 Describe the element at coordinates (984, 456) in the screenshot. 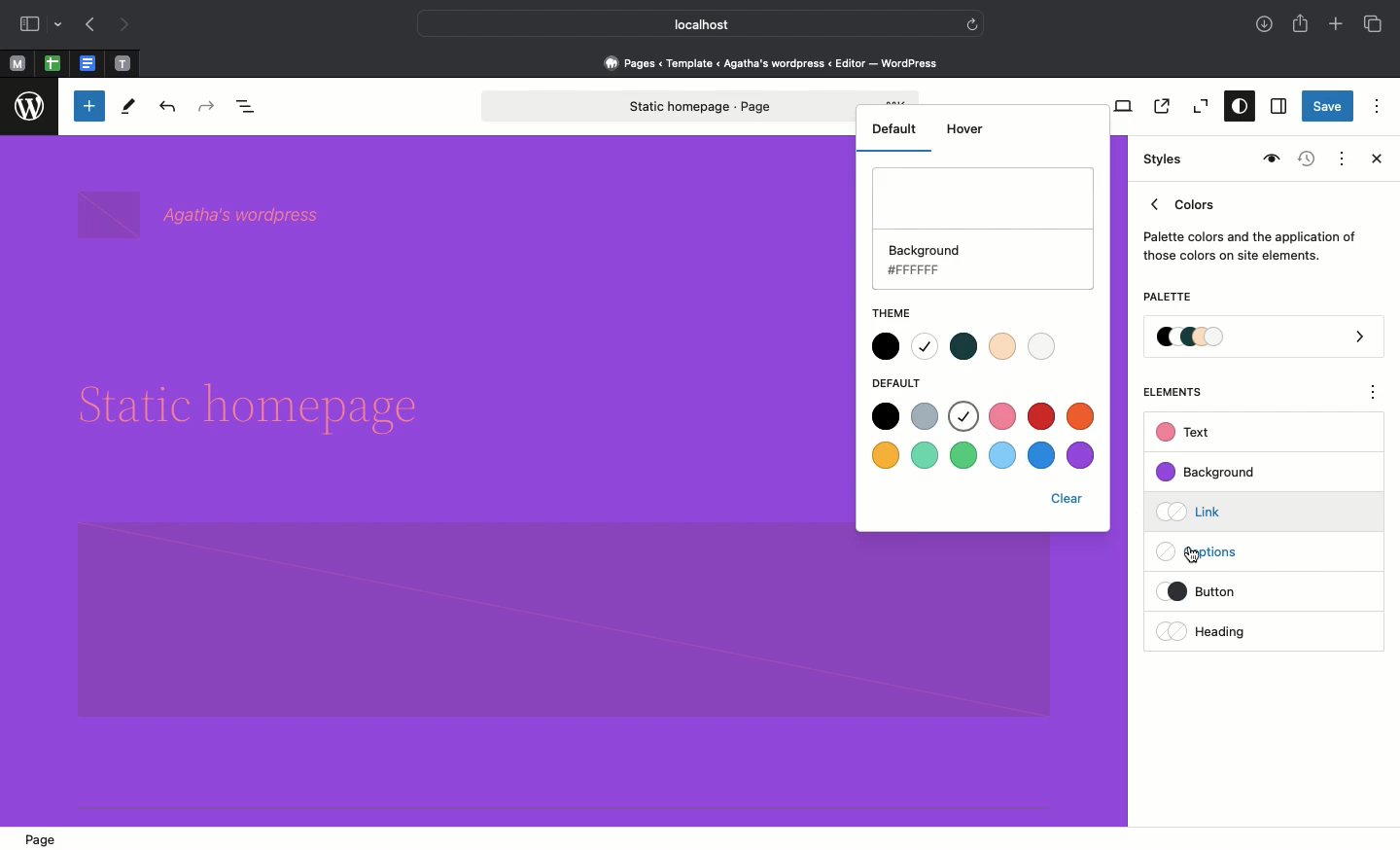

I see `Default color` at that location.